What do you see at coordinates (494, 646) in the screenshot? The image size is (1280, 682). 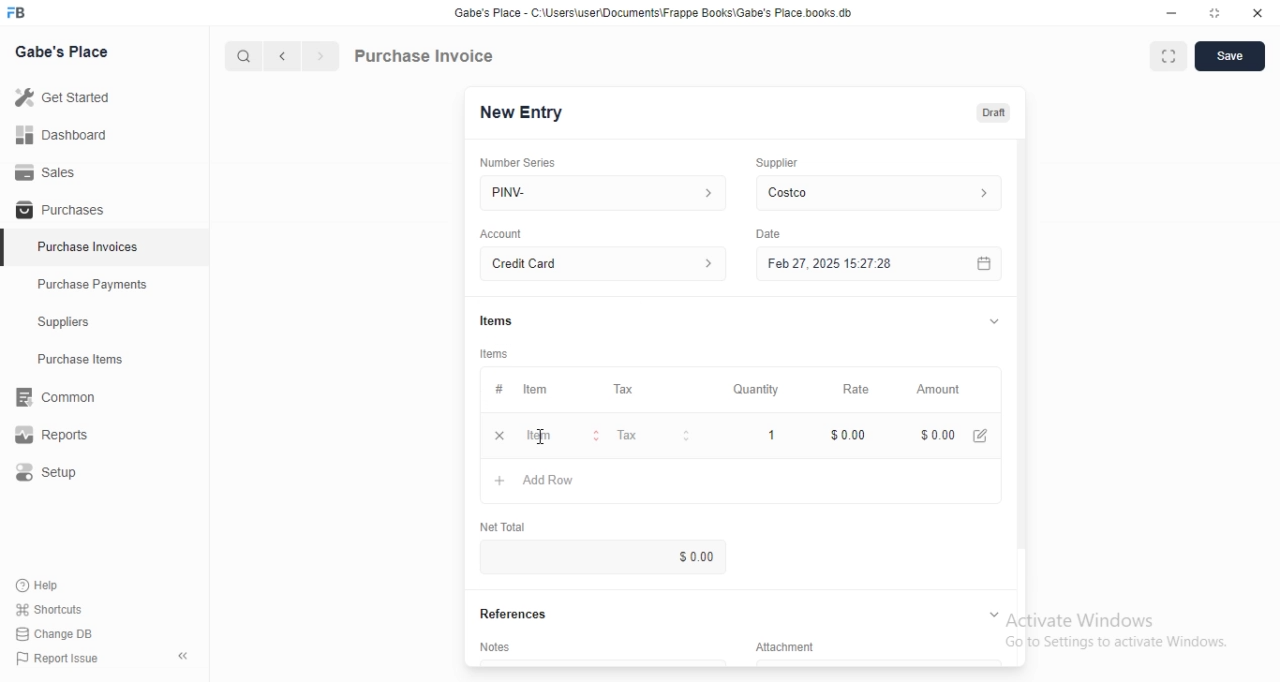 I see `Notes` at bounding box center [494, 646].